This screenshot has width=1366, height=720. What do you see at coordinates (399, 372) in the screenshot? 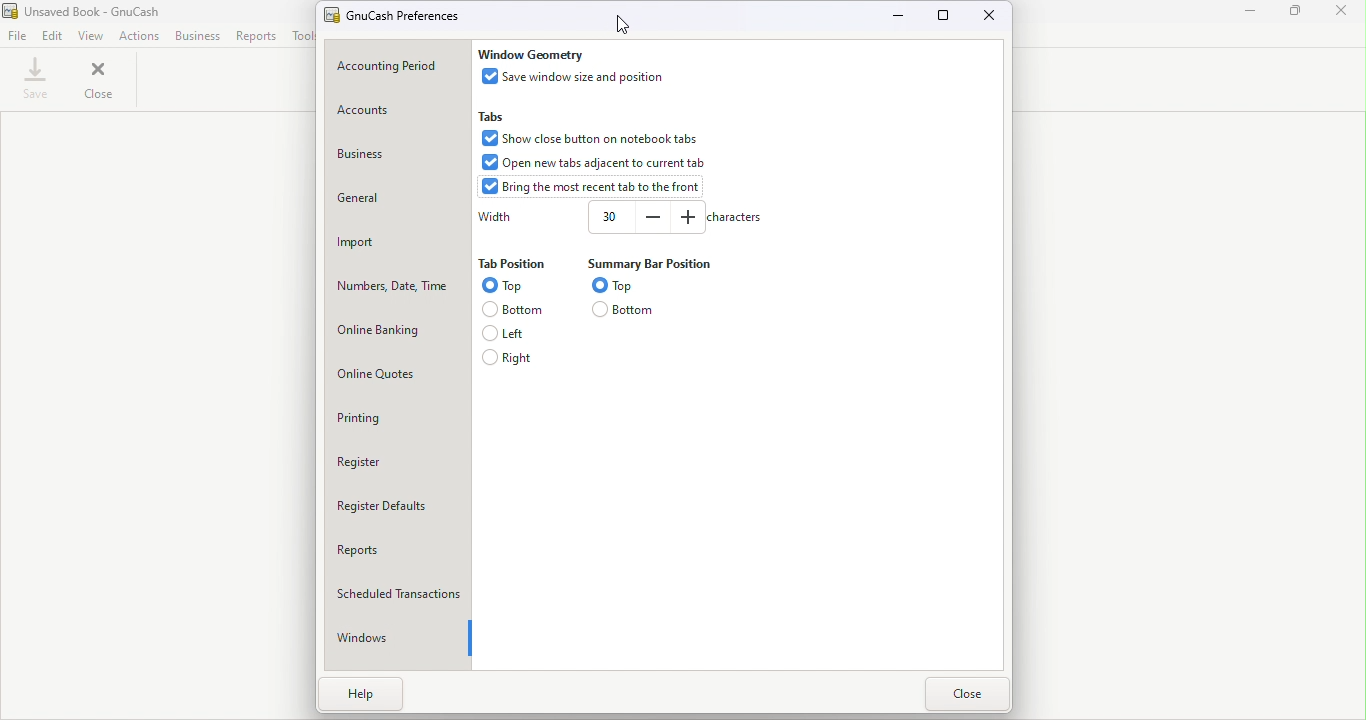
I see `Online quotes` at bounding box center [399, 372].